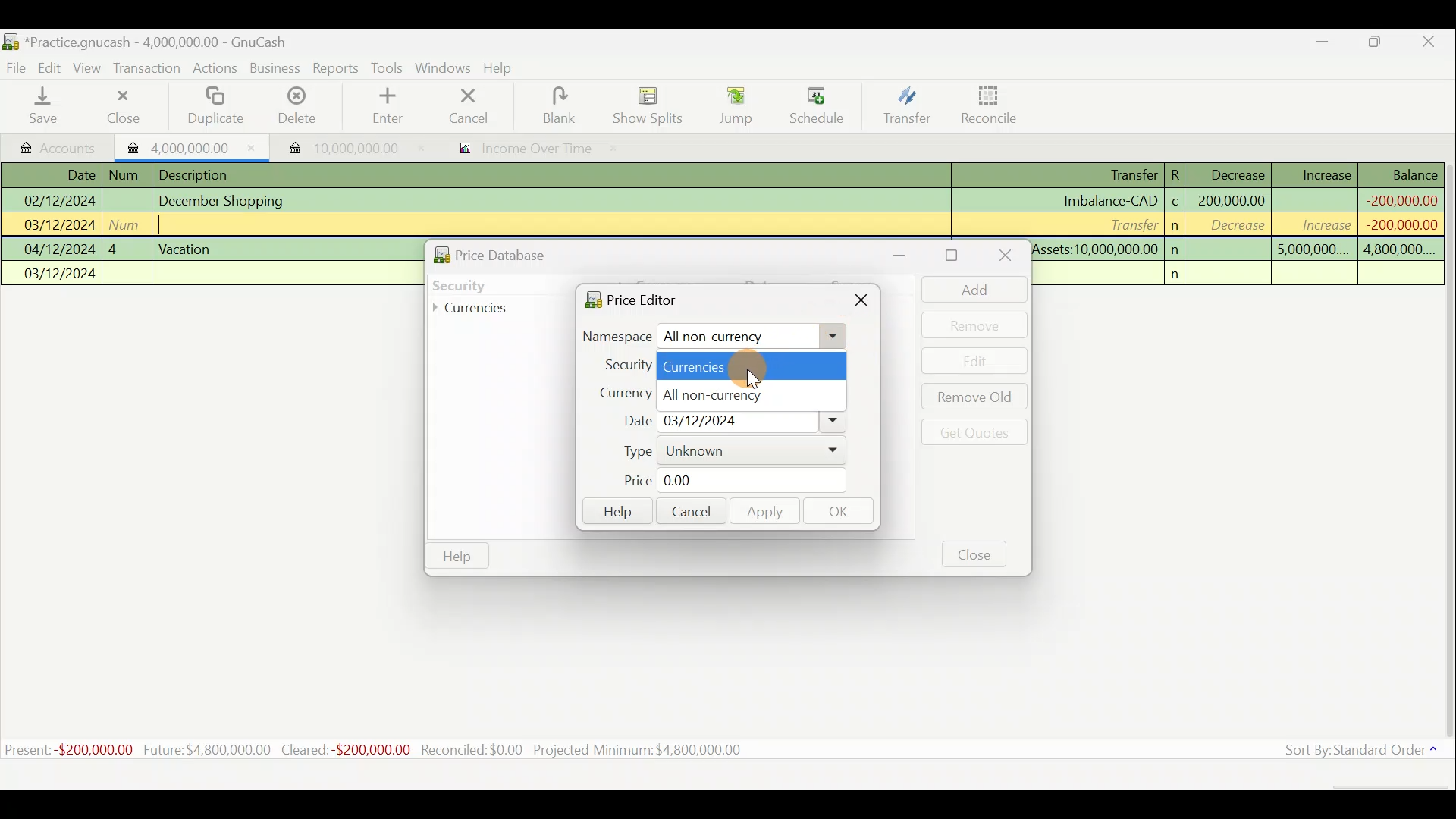 This screenshot has height=819, width=1456. Describe the element at coordinates (689, 510) in the screenshot. I see `Cancel` at that location.